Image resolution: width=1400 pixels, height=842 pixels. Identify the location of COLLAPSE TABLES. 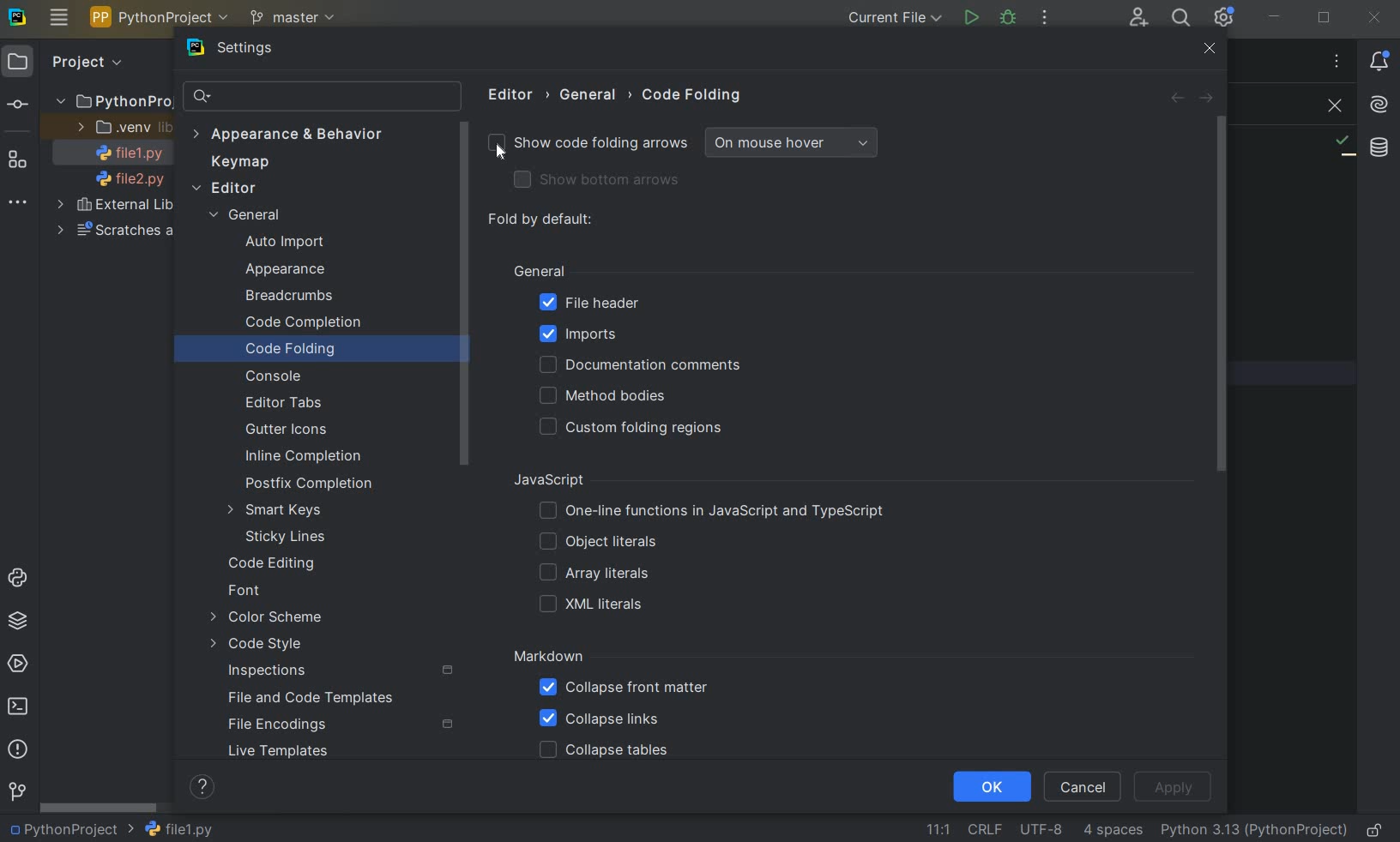
(603, 751).